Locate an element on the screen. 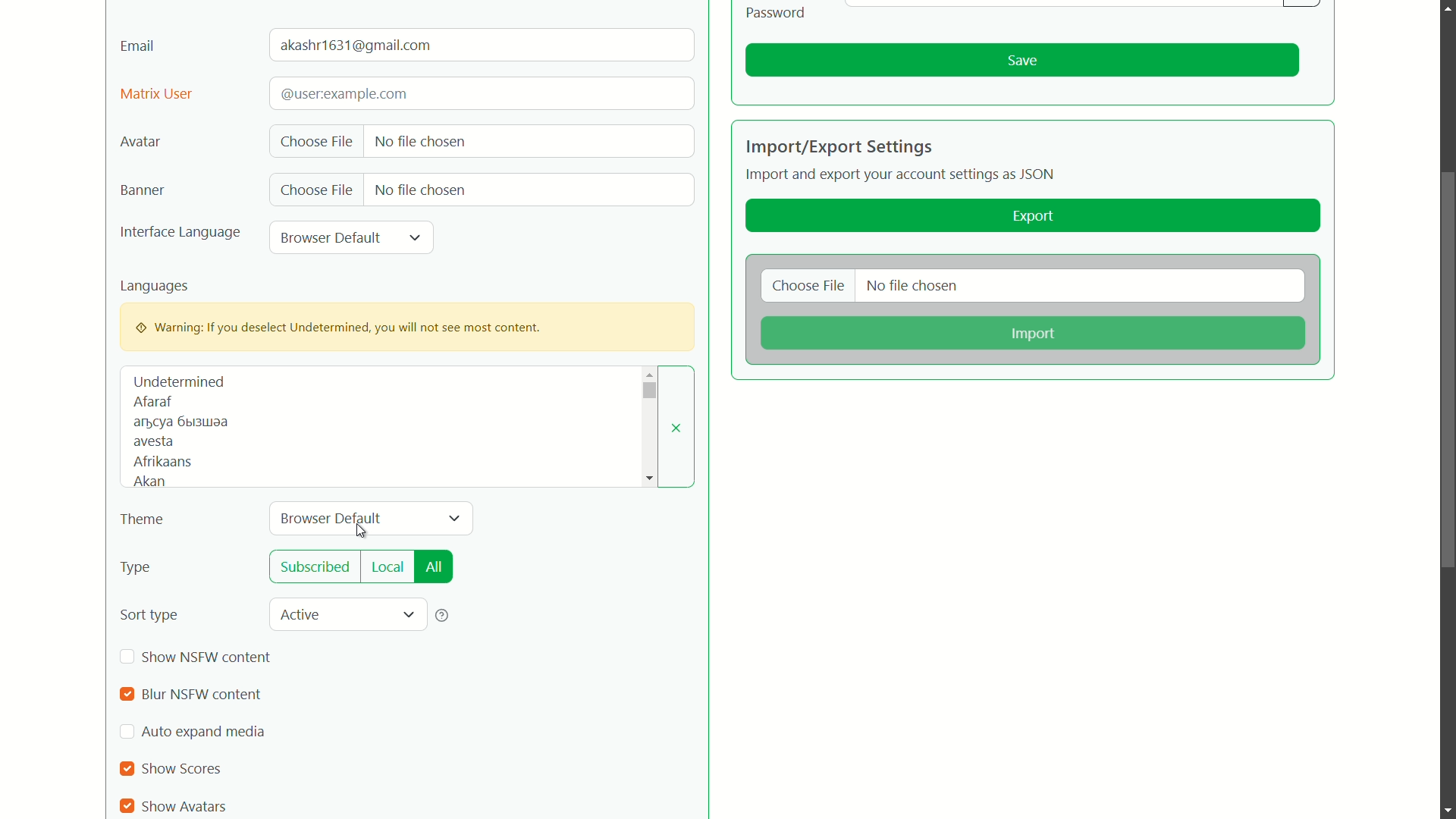  help is located at coordinates (443, 615).